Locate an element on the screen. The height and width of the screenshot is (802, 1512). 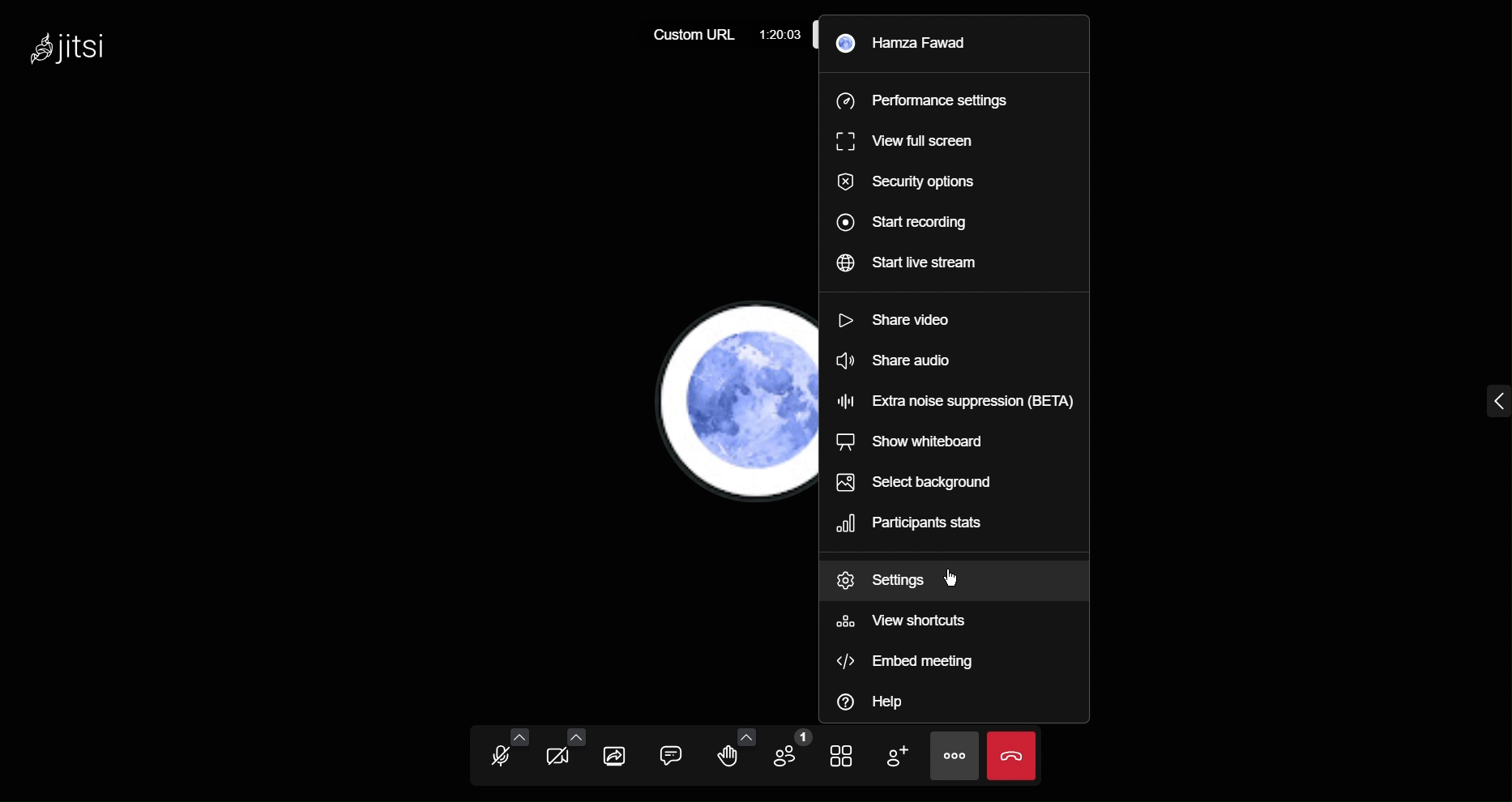
Performance is located at coordinates (922, 103).